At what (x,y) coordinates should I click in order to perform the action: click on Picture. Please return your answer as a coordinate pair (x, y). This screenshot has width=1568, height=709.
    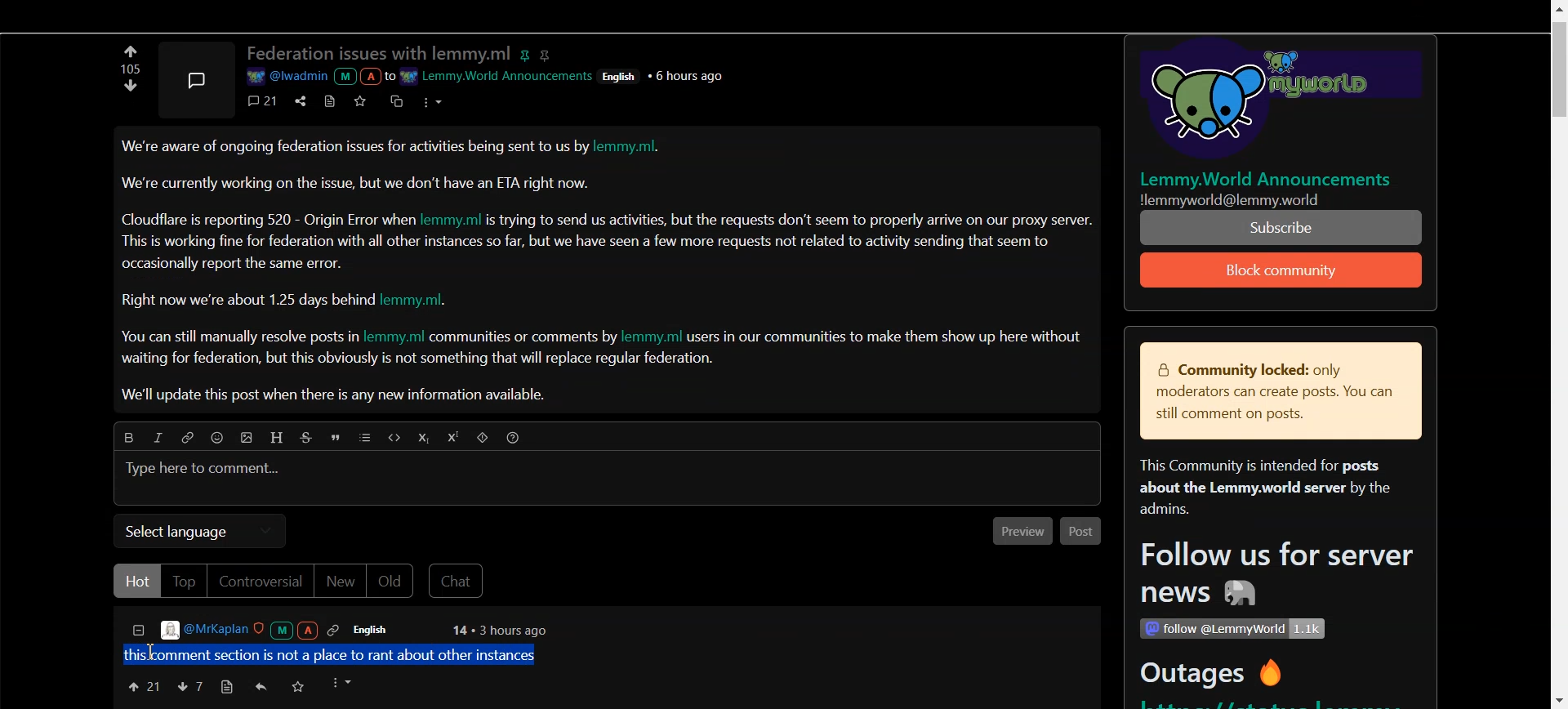
    Looking at the image, I should click on (195, 77).